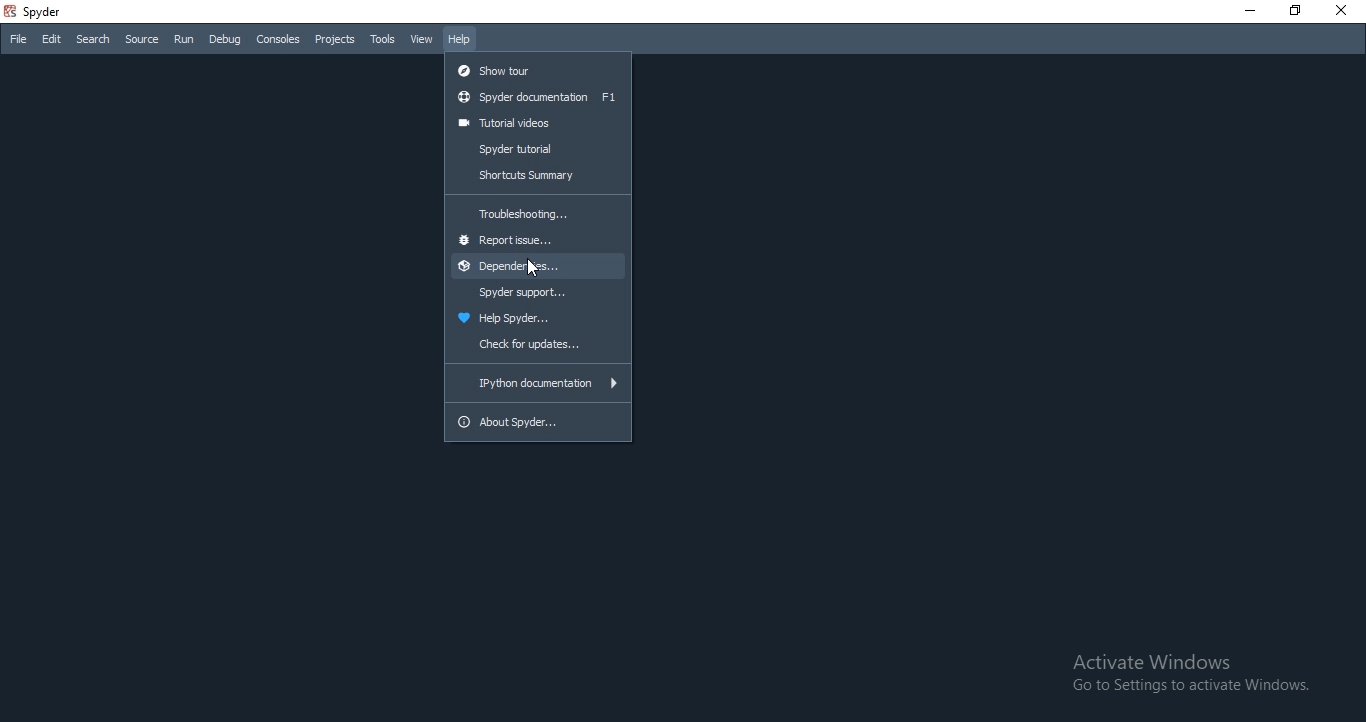 The height and width of the screenshot is (722, 1366). Describe the element at coordinates (422, 41) in the screenshot. I see `View` at that location.